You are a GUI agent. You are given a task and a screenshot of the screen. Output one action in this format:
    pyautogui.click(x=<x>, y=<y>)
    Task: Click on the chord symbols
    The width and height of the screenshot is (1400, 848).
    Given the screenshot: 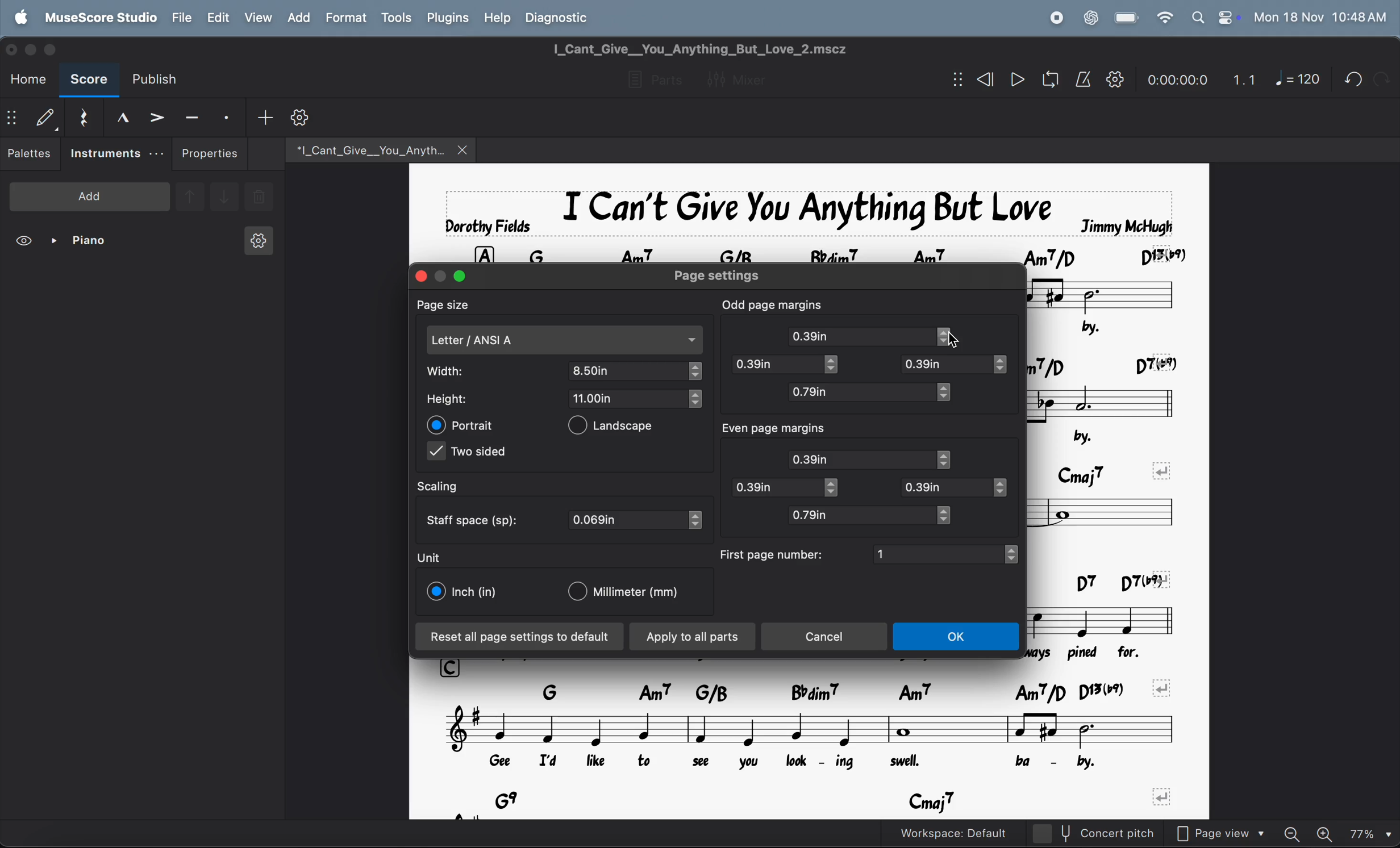 What is the action you would take?
    pyautogui.click(x=835, y=691)
    